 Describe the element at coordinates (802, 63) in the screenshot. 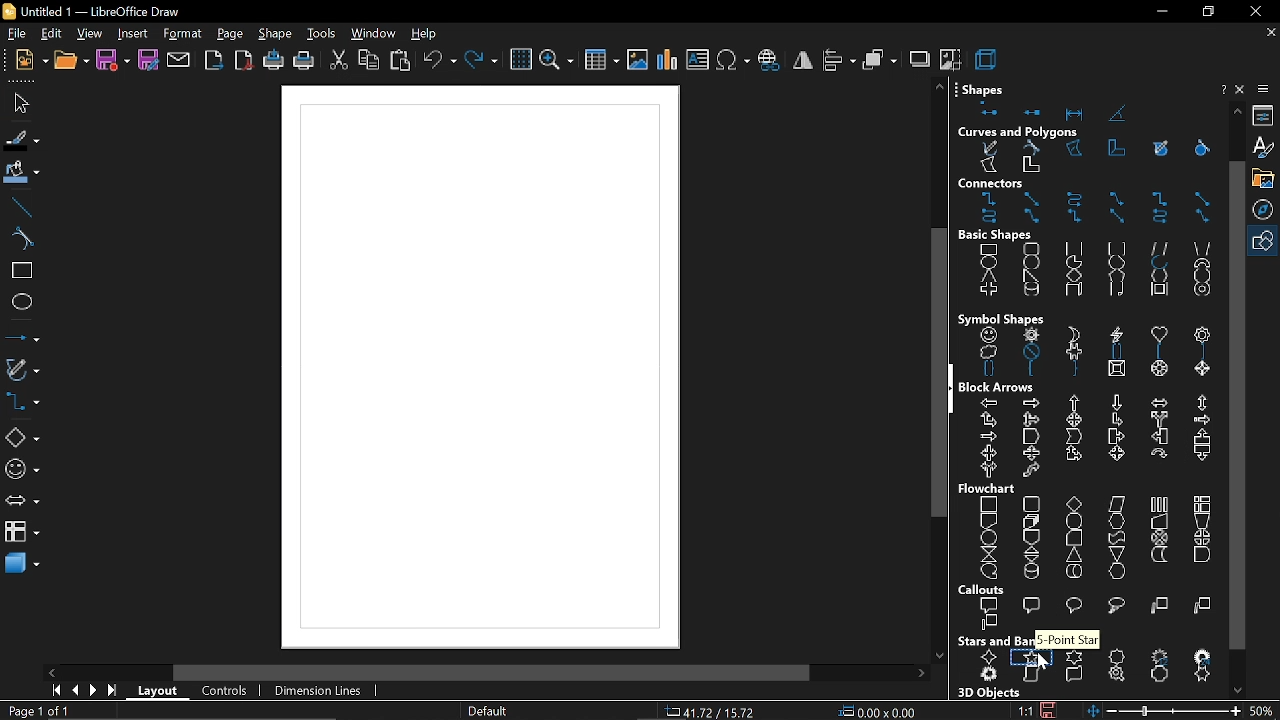

I see `flip` at that location.